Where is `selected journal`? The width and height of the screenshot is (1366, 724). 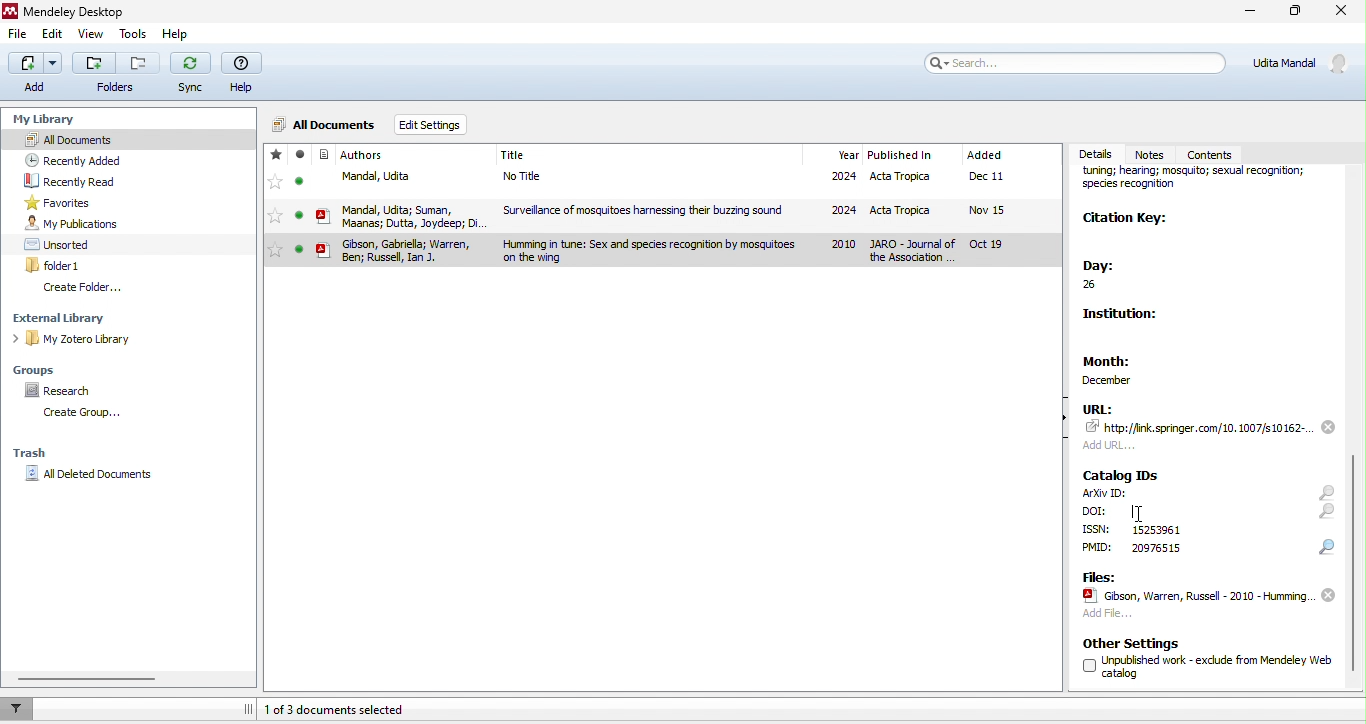 selected journal is located at coordinates (661, 251).